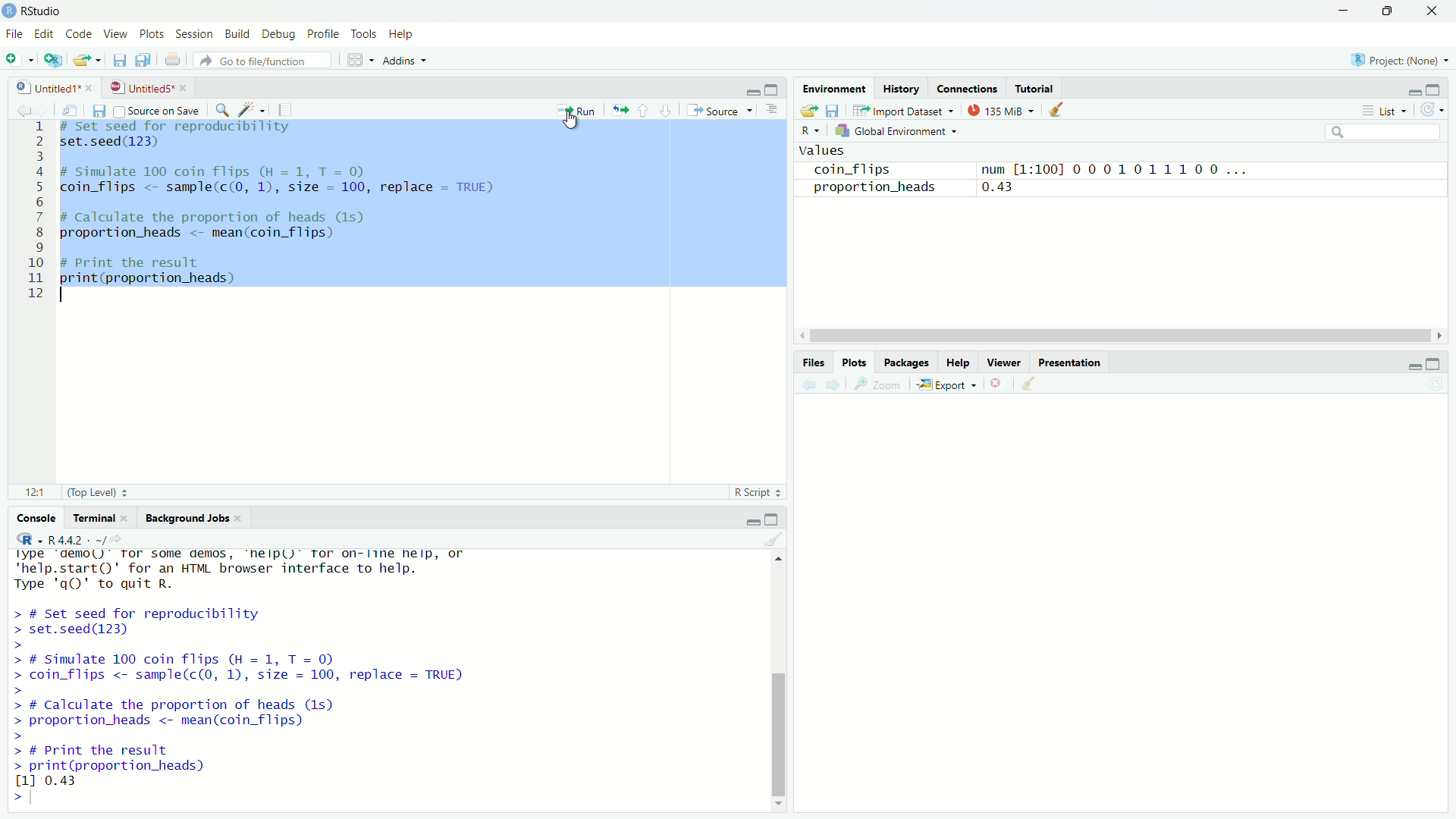  What do you see at coordinates (1006, 362) in the screenshot?
I see `Viewer` at bounding box center [1006, 362].